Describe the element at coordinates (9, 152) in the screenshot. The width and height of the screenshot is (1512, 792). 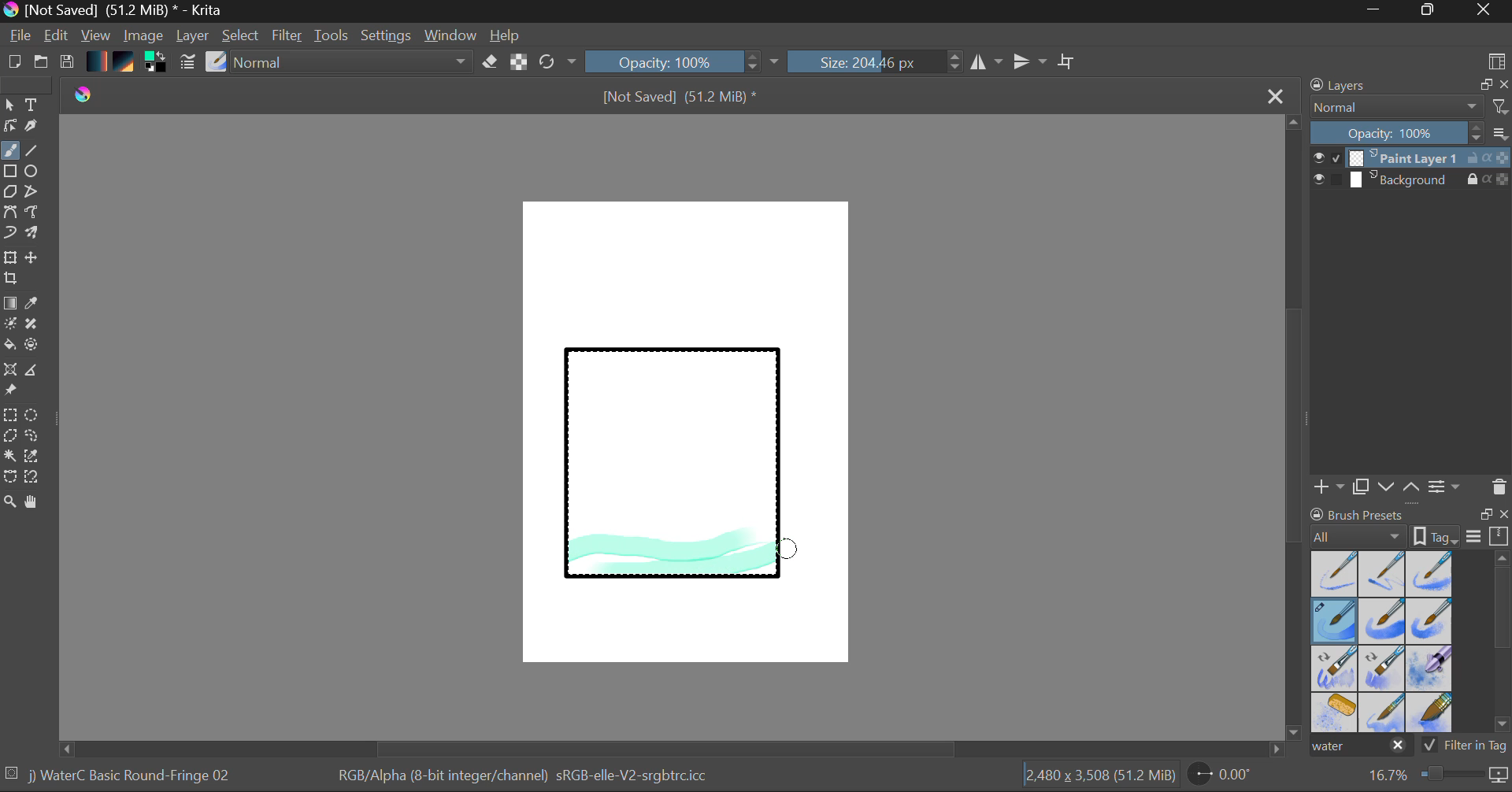
I see `Paintbrush` at that location.